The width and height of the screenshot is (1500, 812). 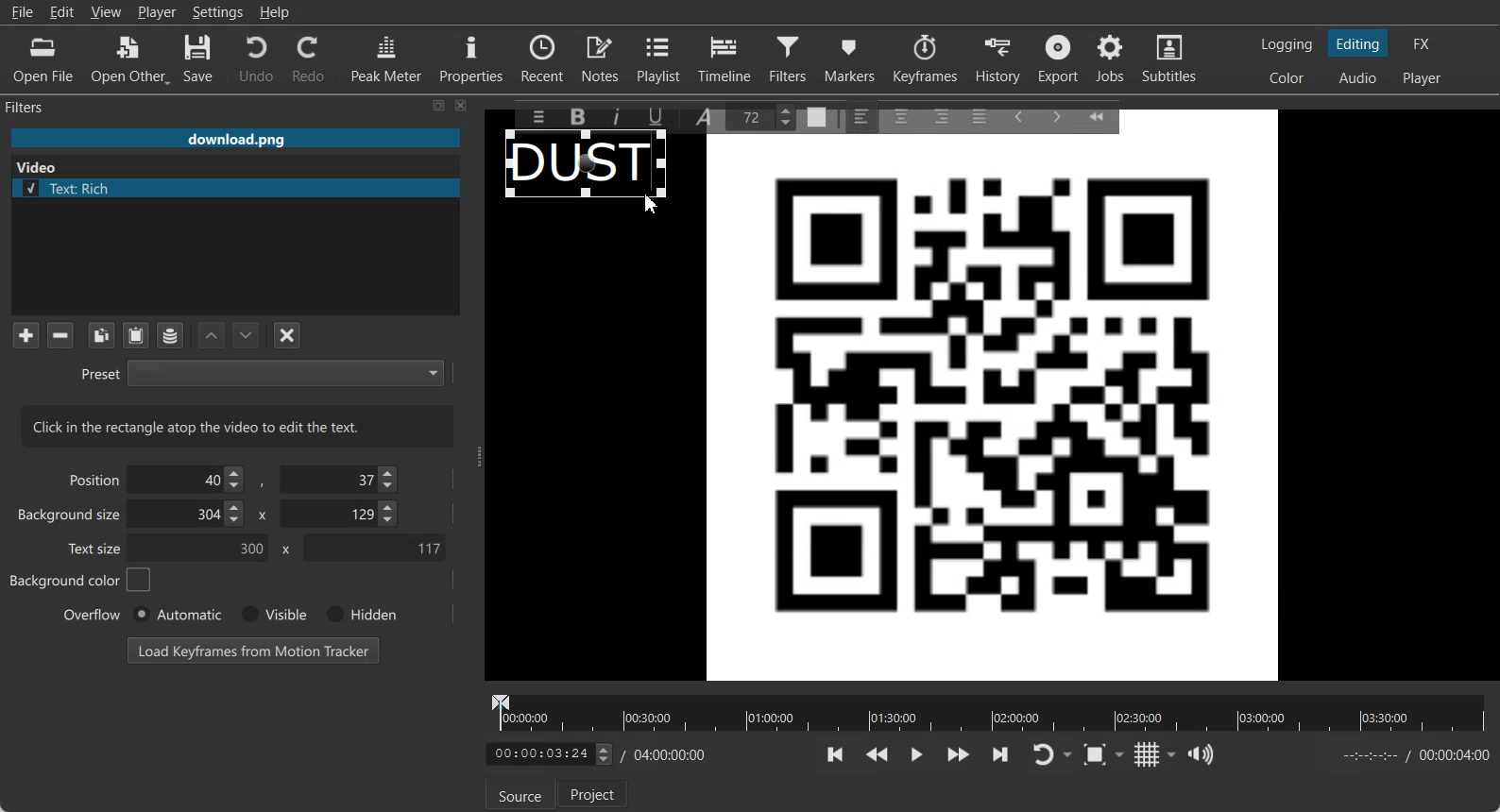 What do you see at coordinates (1423, 43) in the screenshot?
I see `Switching to the Effect layout` at bounding box center [1423, 43].